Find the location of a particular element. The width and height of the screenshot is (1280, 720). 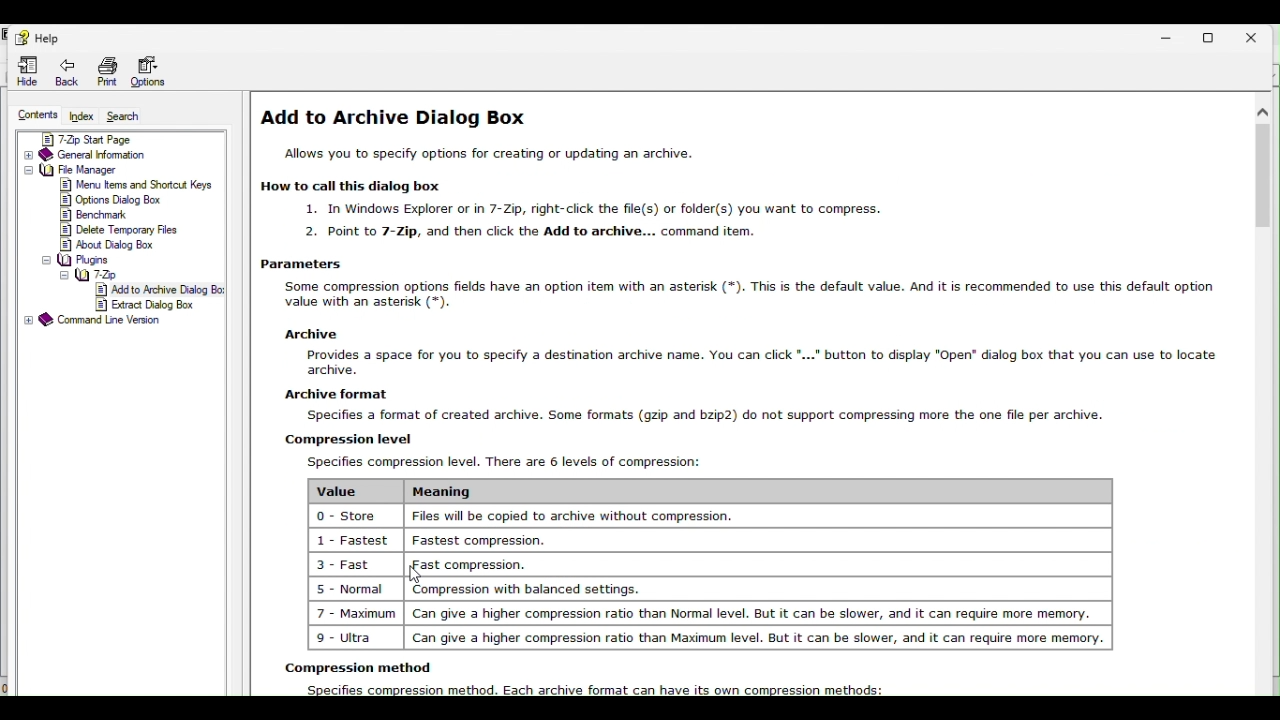

help is located at coordinates (34, 35).